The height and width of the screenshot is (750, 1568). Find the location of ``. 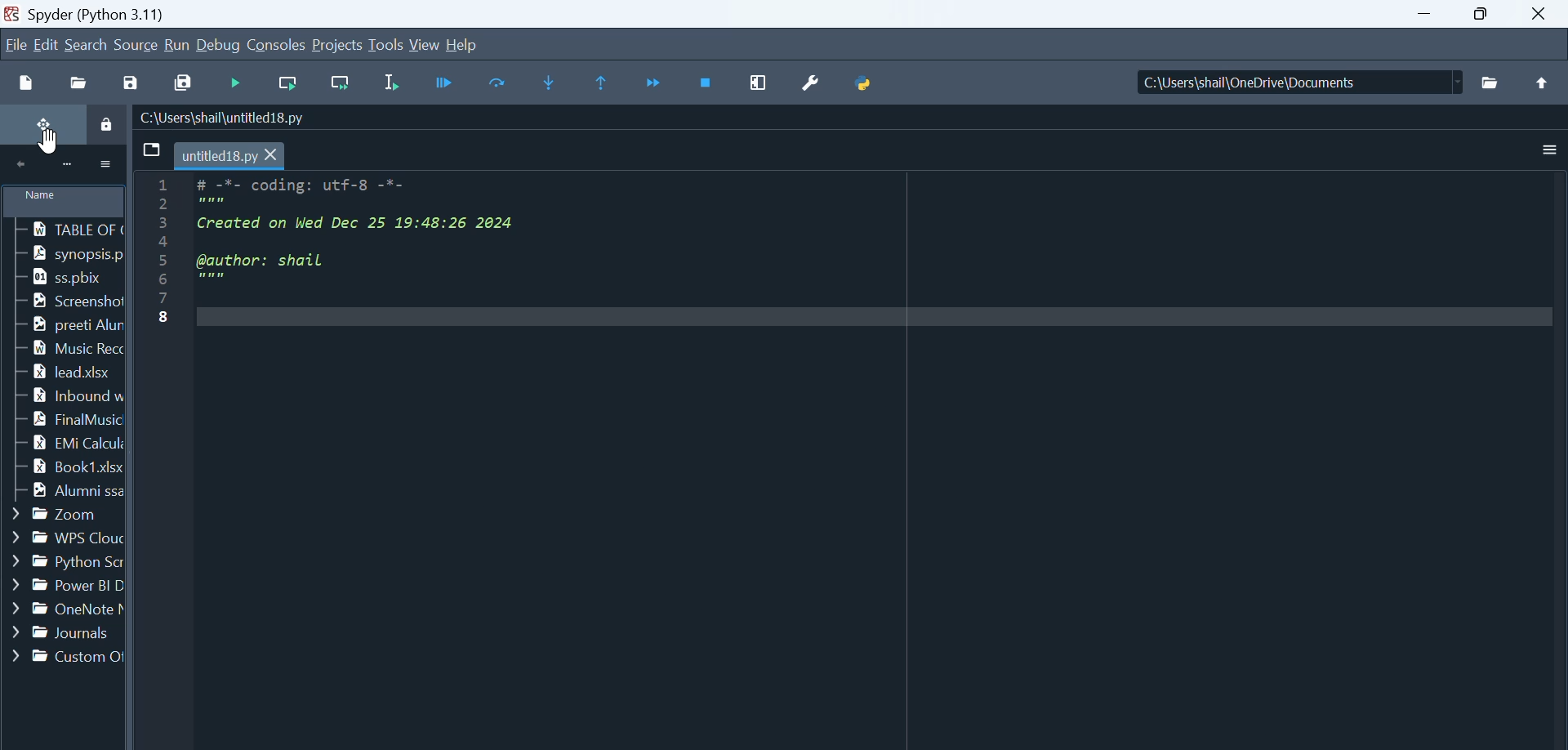

 is located at coordinates (339, 46).